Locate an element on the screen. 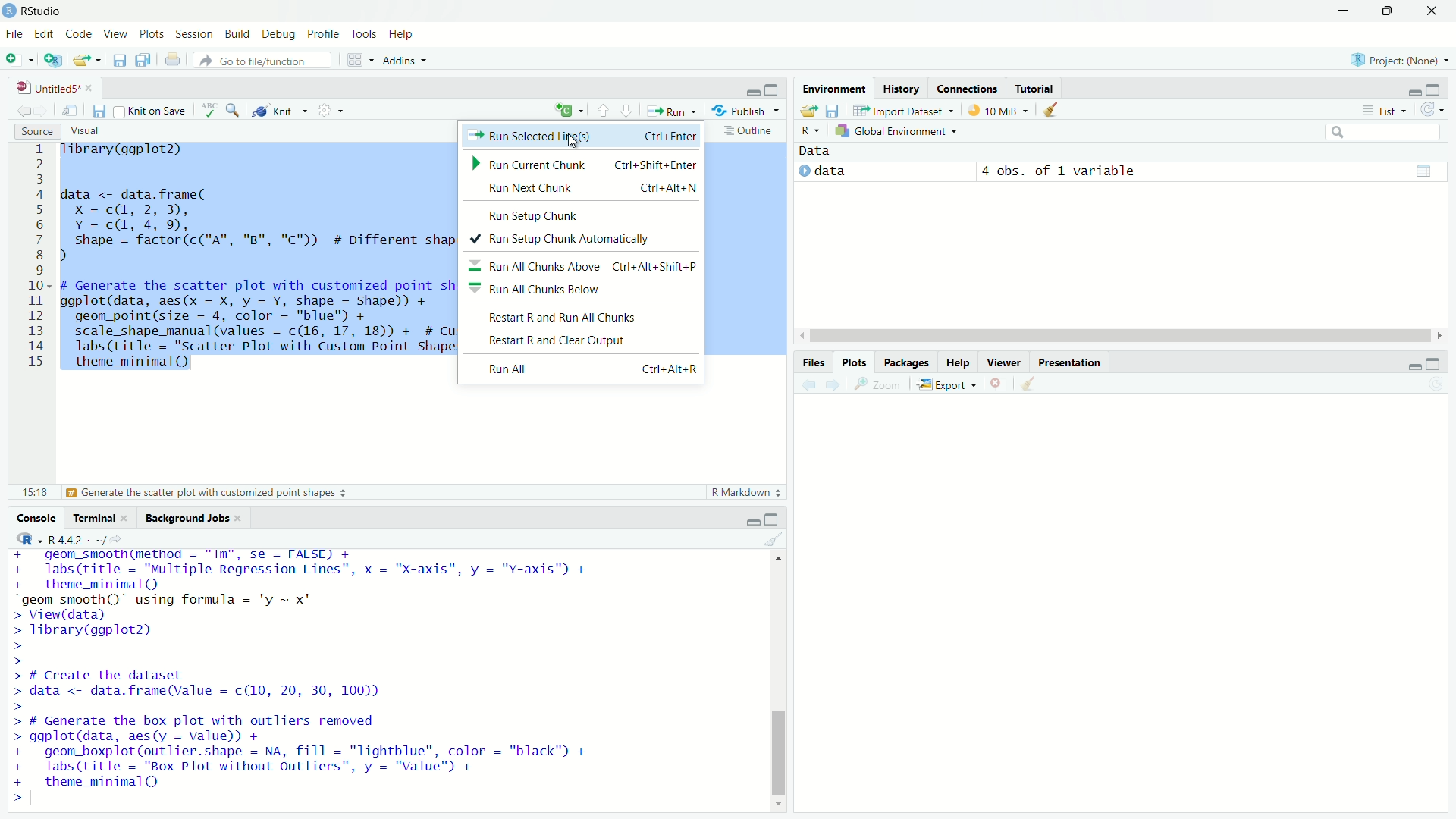 Image resolution: width=1456 pixels, height=819 pixels. Import Dataset is located at coordinates (903, 111).